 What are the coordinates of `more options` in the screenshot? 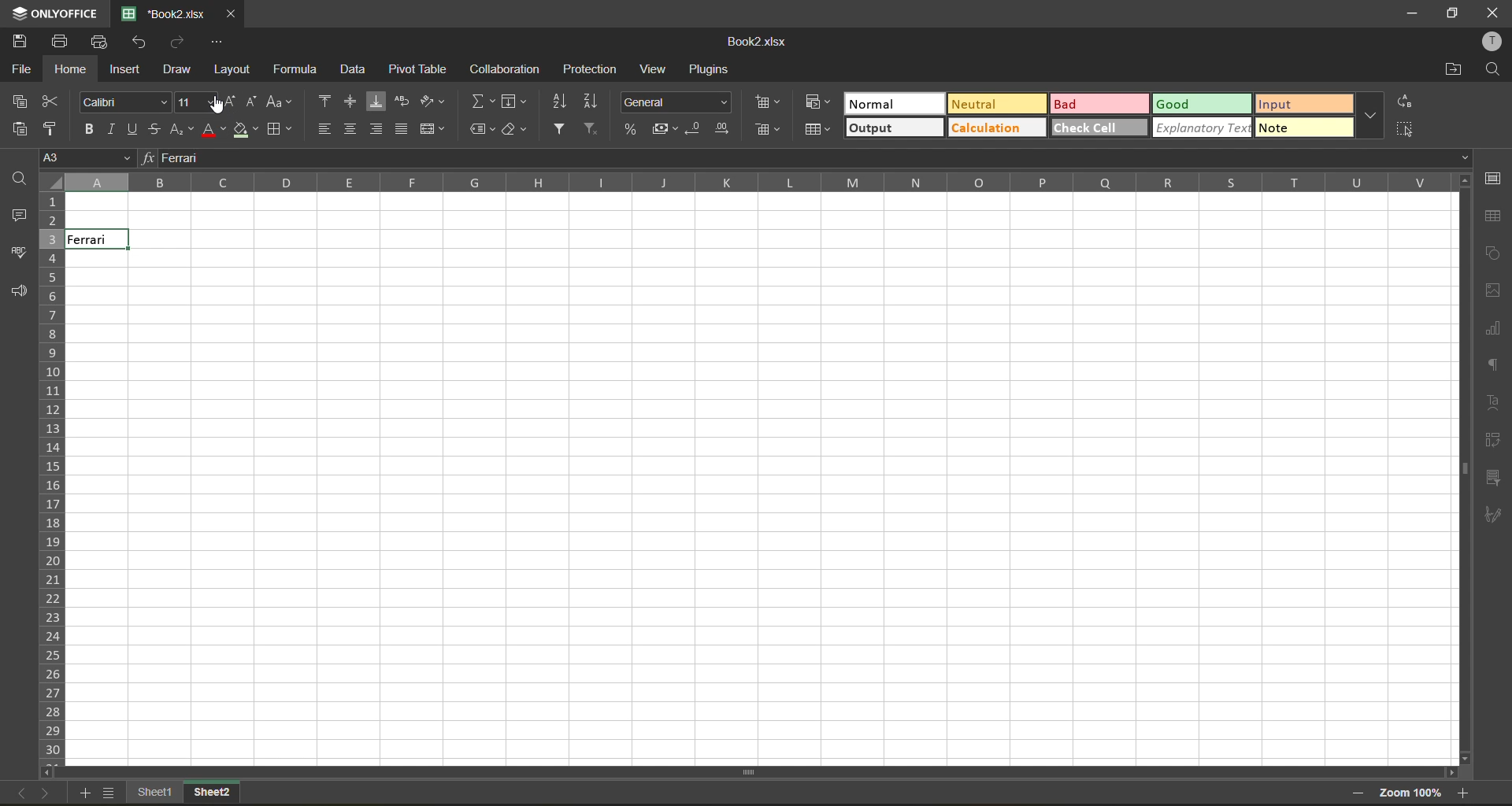 It's located at (1370, 113).